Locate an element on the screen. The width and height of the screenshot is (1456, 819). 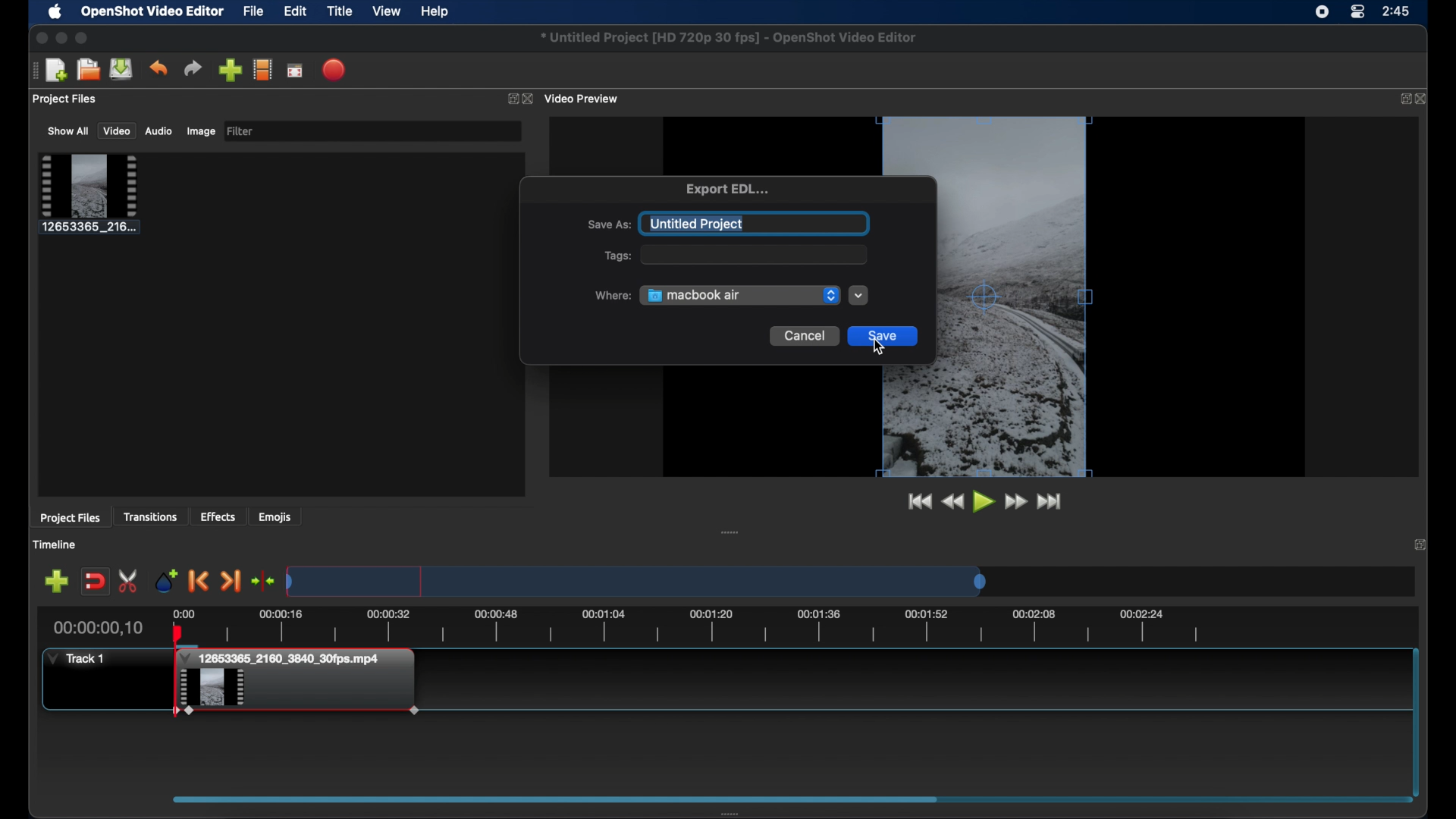
undo is located at coordinates (158, 68).